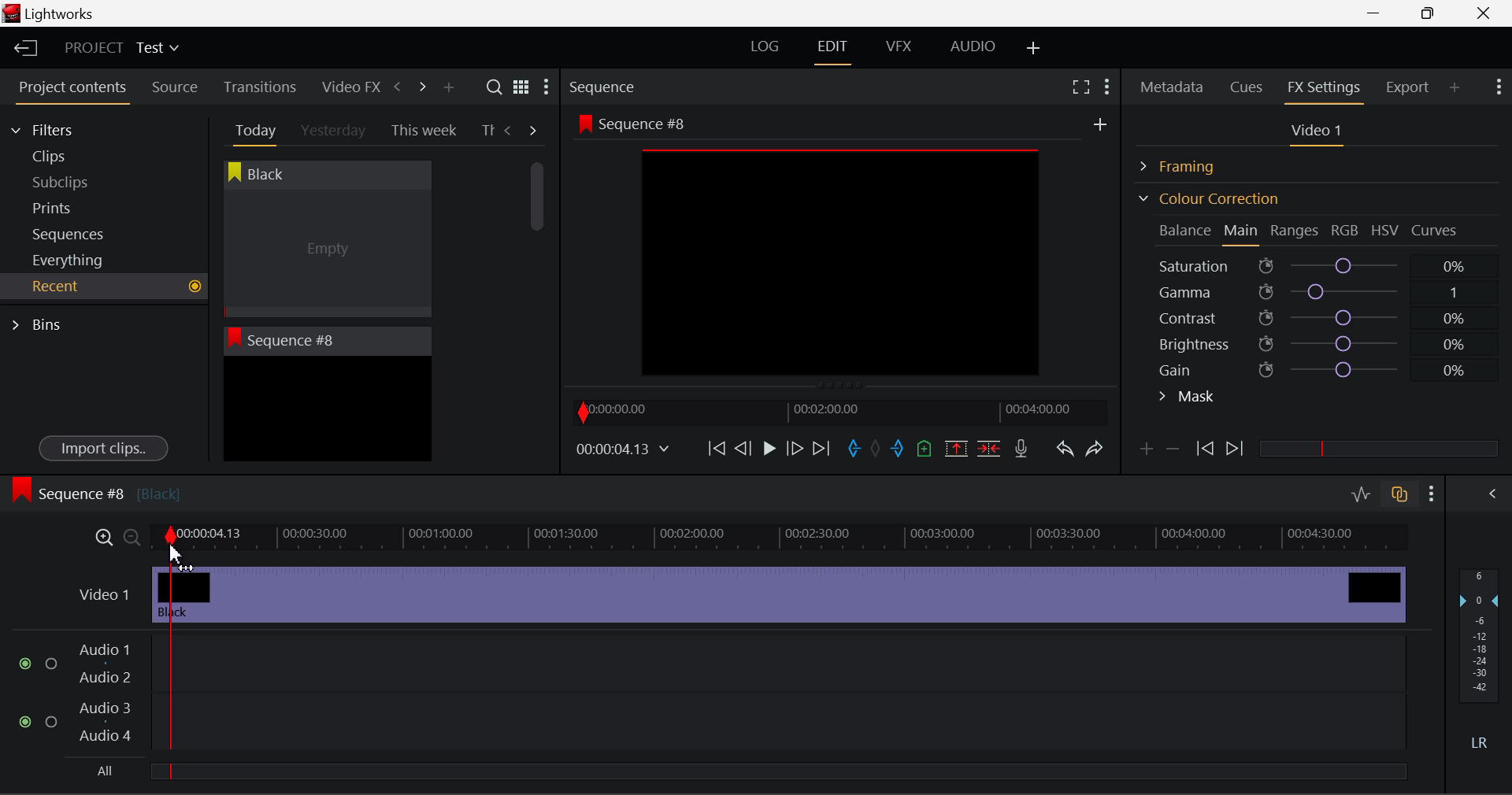 Image resolution: width=1512 pixels, height=795 pixels. What do you see at coordinates (1320, 292) in the screenshot?
I see `Gamma` at bounding box center [1320, 292].